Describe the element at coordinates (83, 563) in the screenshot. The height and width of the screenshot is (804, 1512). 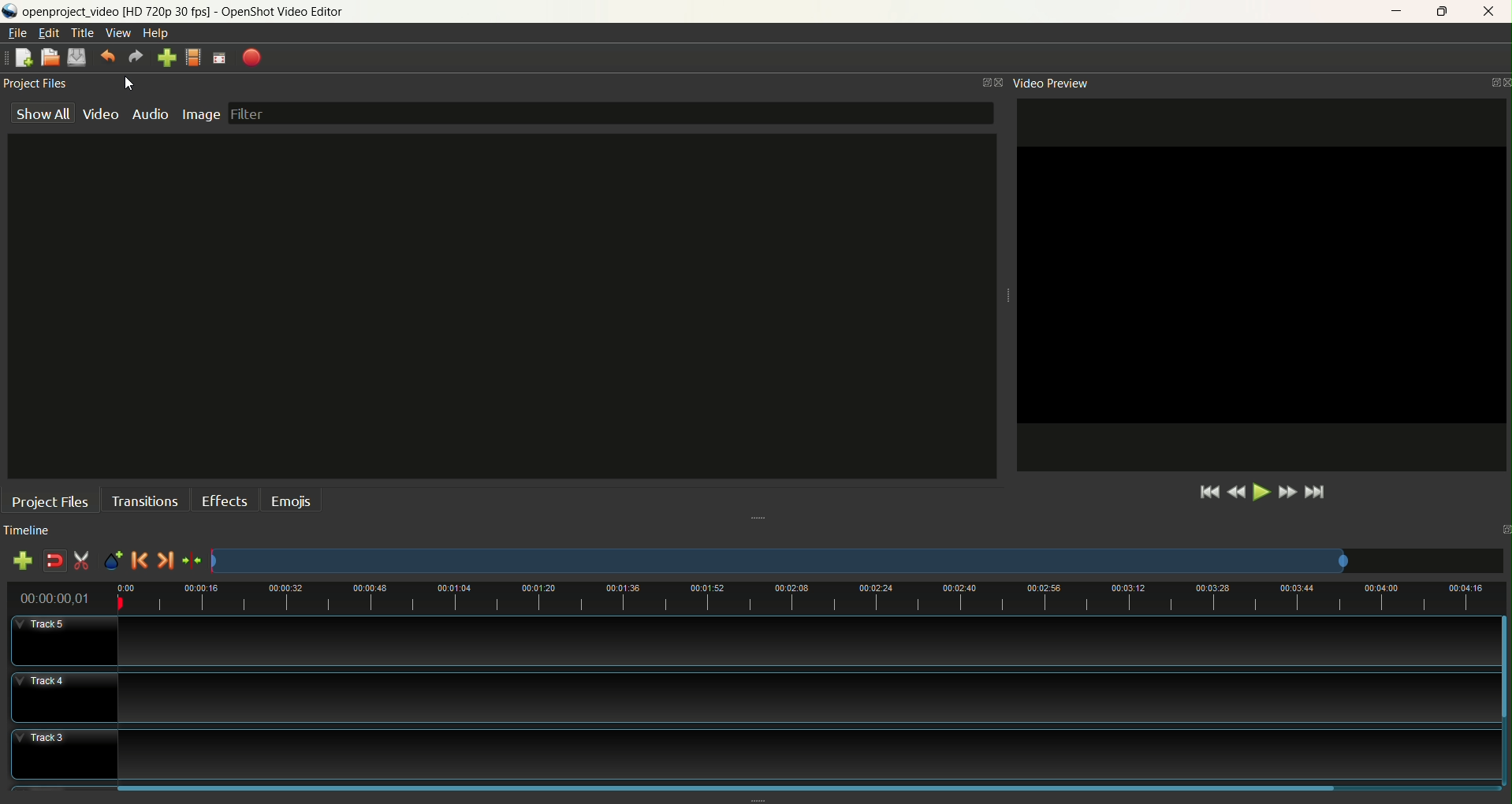
I see `enable razor` at that location.